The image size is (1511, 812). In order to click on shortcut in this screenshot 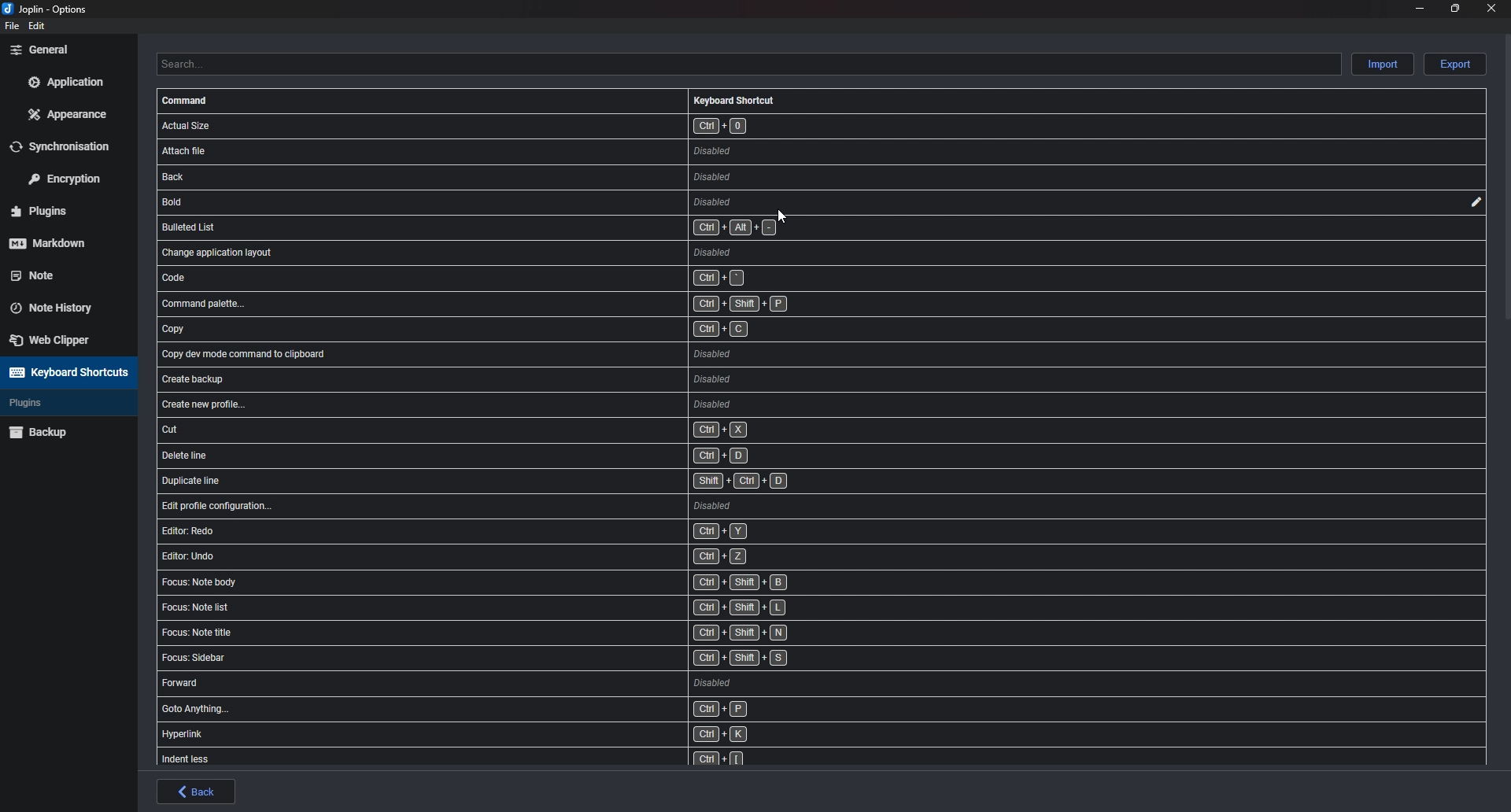, I will do `click(515, 660)`.